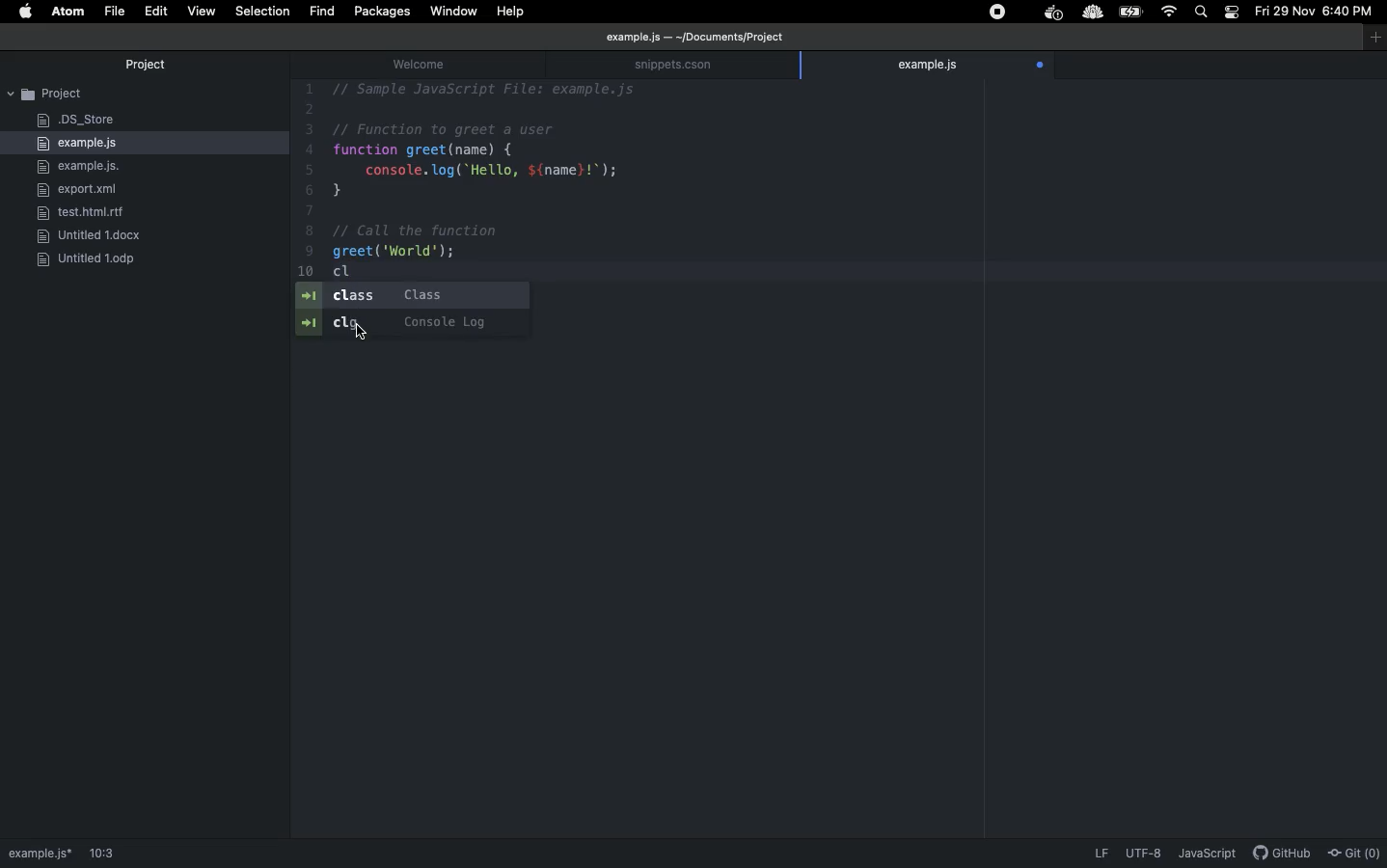  I want to click on Window, so click(457, 12).